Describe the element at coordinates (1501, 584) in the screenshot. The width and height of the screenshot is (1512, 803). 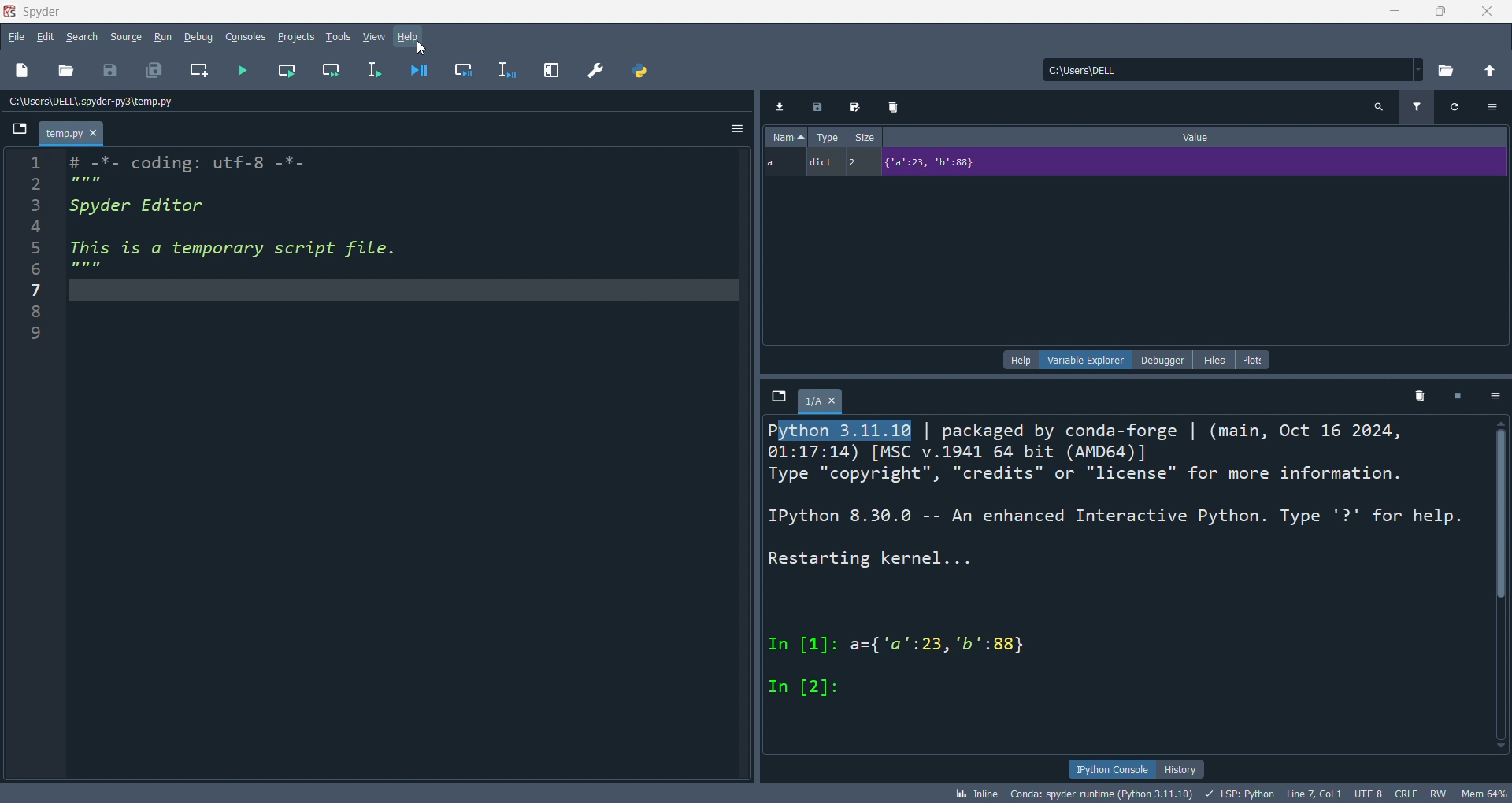
I see `Vertical scroll bar` at that location.